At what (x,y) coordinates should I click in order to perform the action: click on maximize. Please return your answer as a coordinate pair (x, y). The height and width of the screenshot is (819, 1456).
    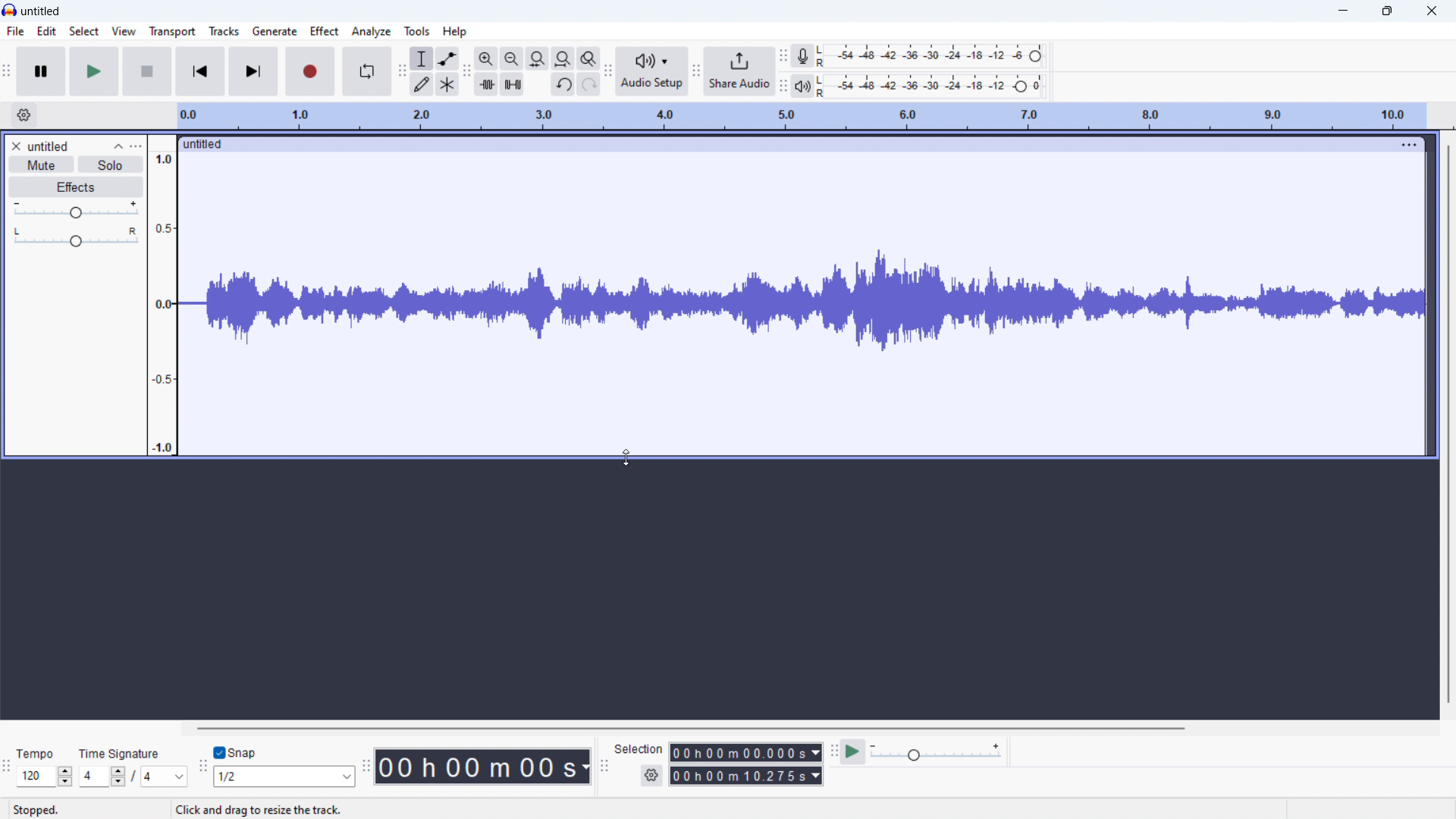
    Looking at the image, I should click on (1385, 11).